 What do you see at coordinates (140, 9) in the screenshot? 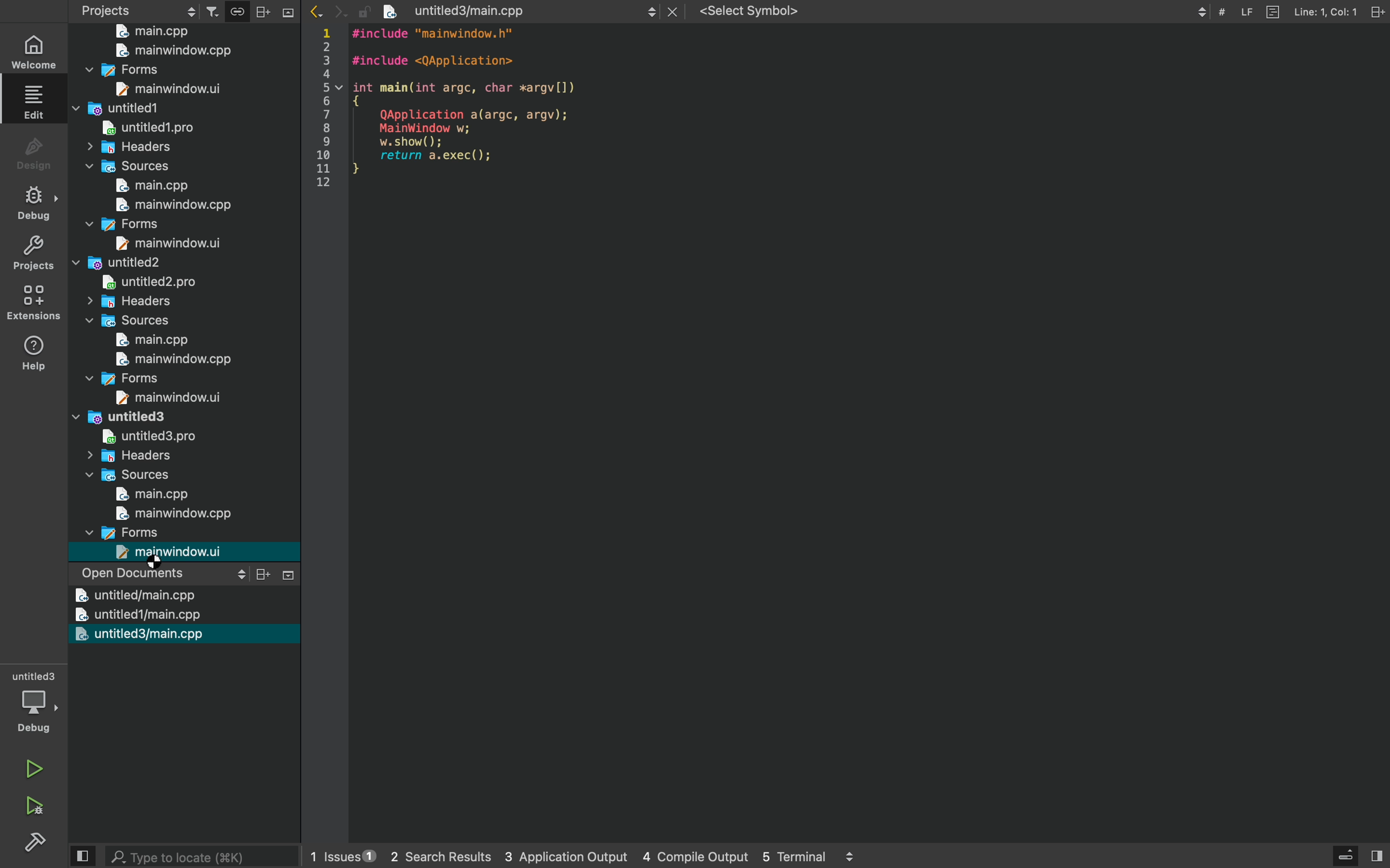
I see `projects` at bounding box center [140, 9].